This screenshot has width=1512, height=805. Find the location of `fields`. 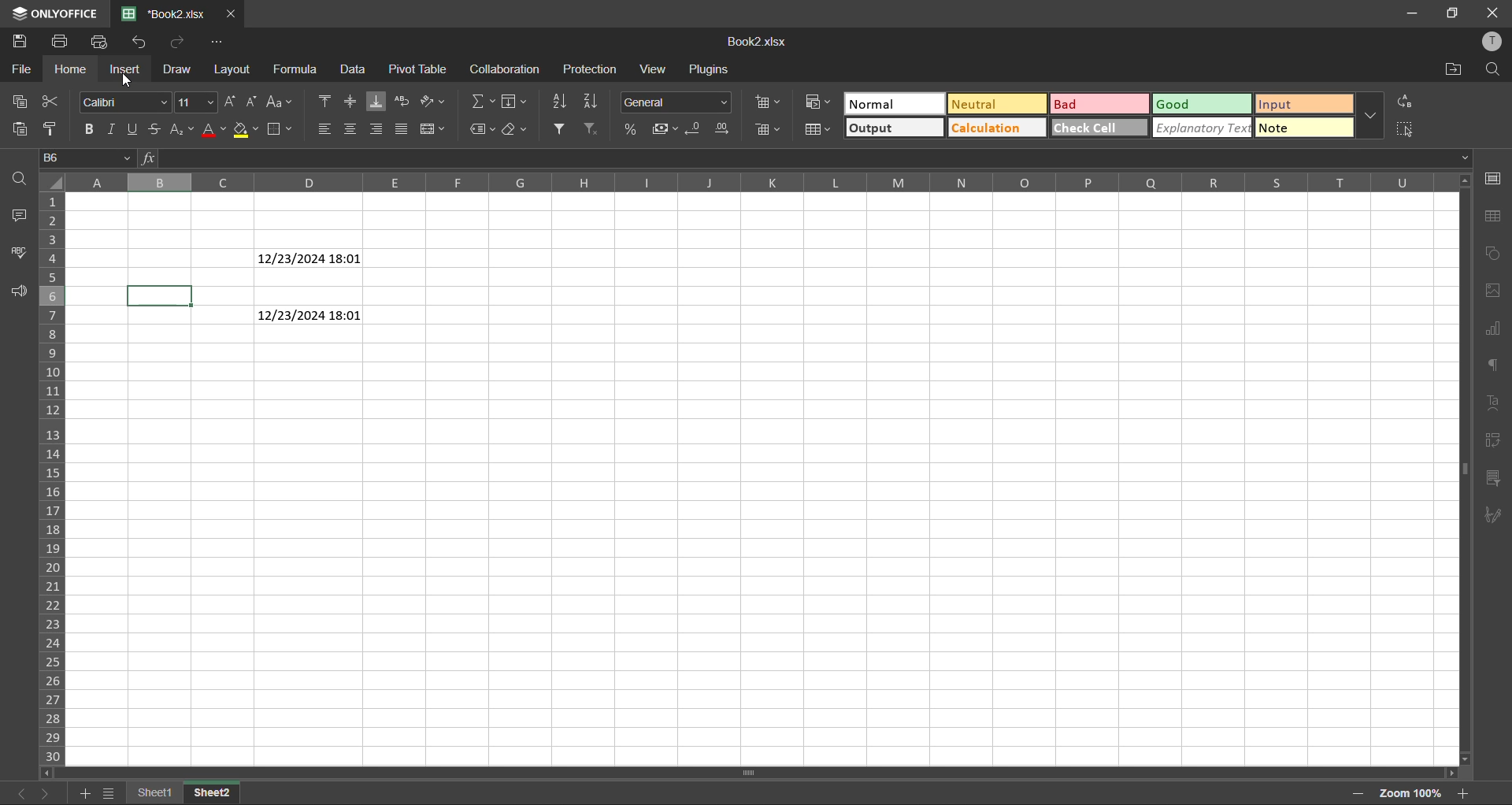

fields is located at coordinates (515, 103).